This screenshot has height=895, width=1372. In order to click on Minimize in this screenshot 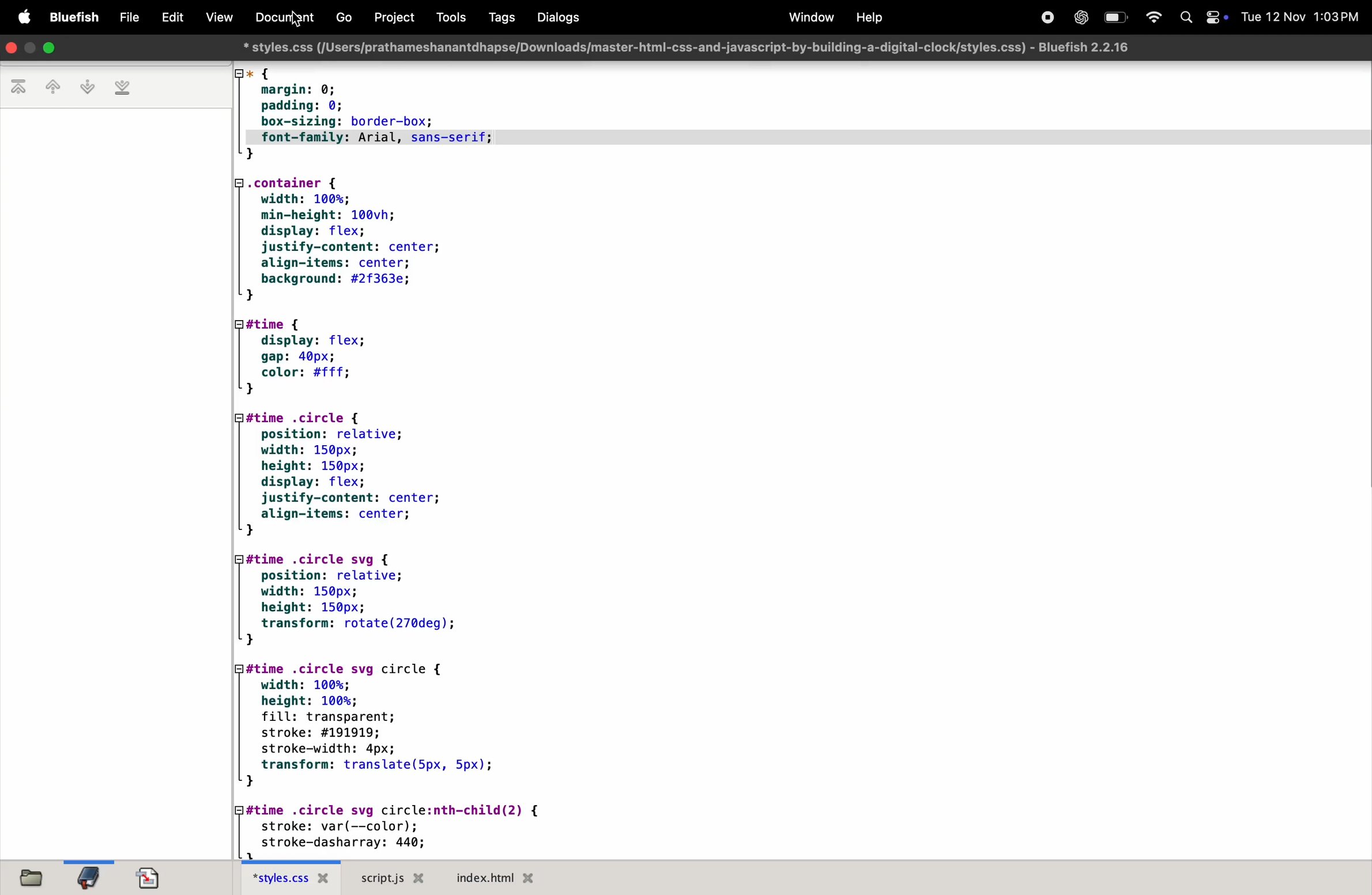, I will do `click(30, 48)`.